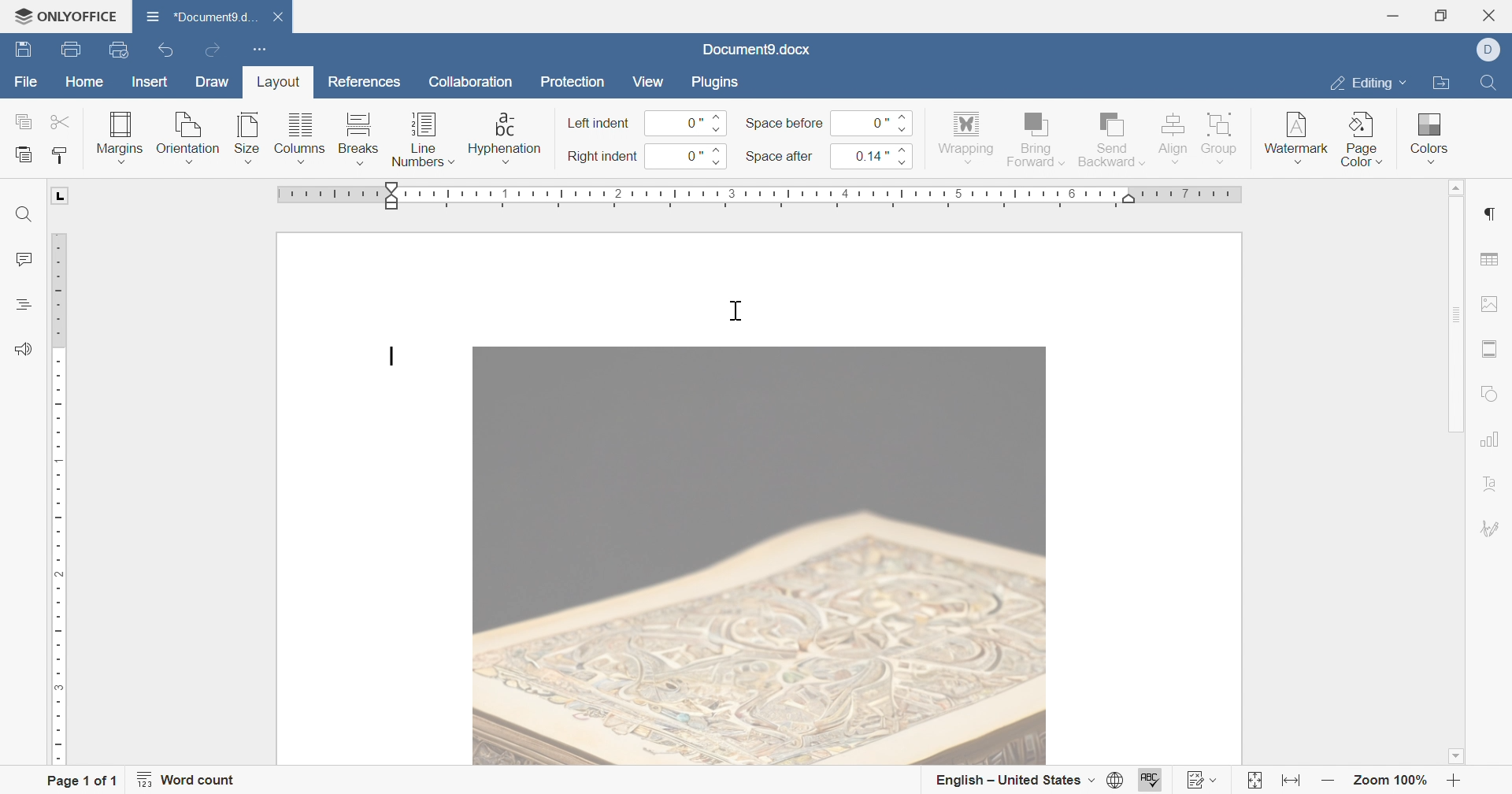 The height and width of the screenshot is (794, 1512). Describe the element at coordinates (1365, 86) in the screenshot. I see `editing` at that location.